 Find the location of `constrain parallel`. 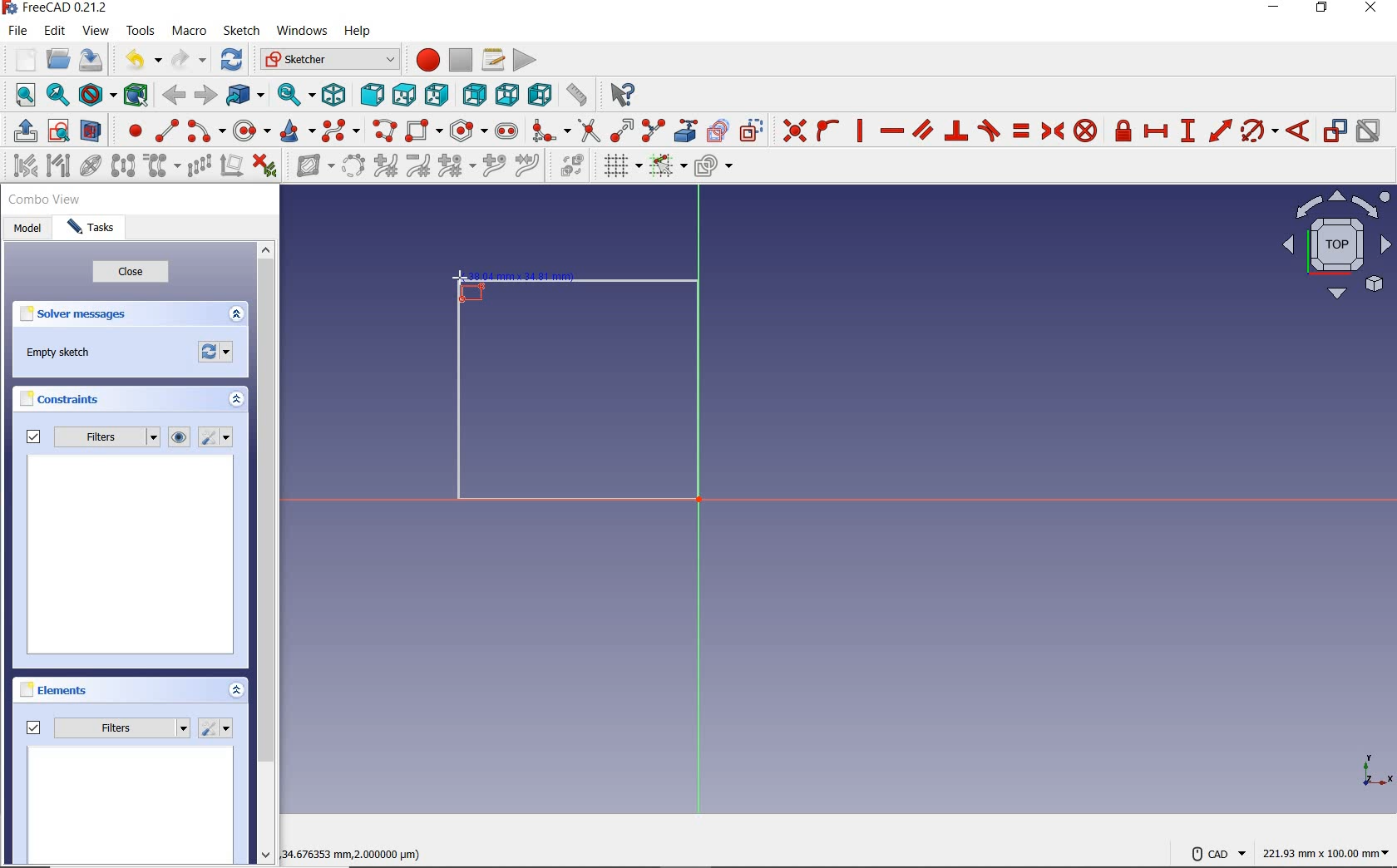

constrain parallel is located at coordinates (922, 131).